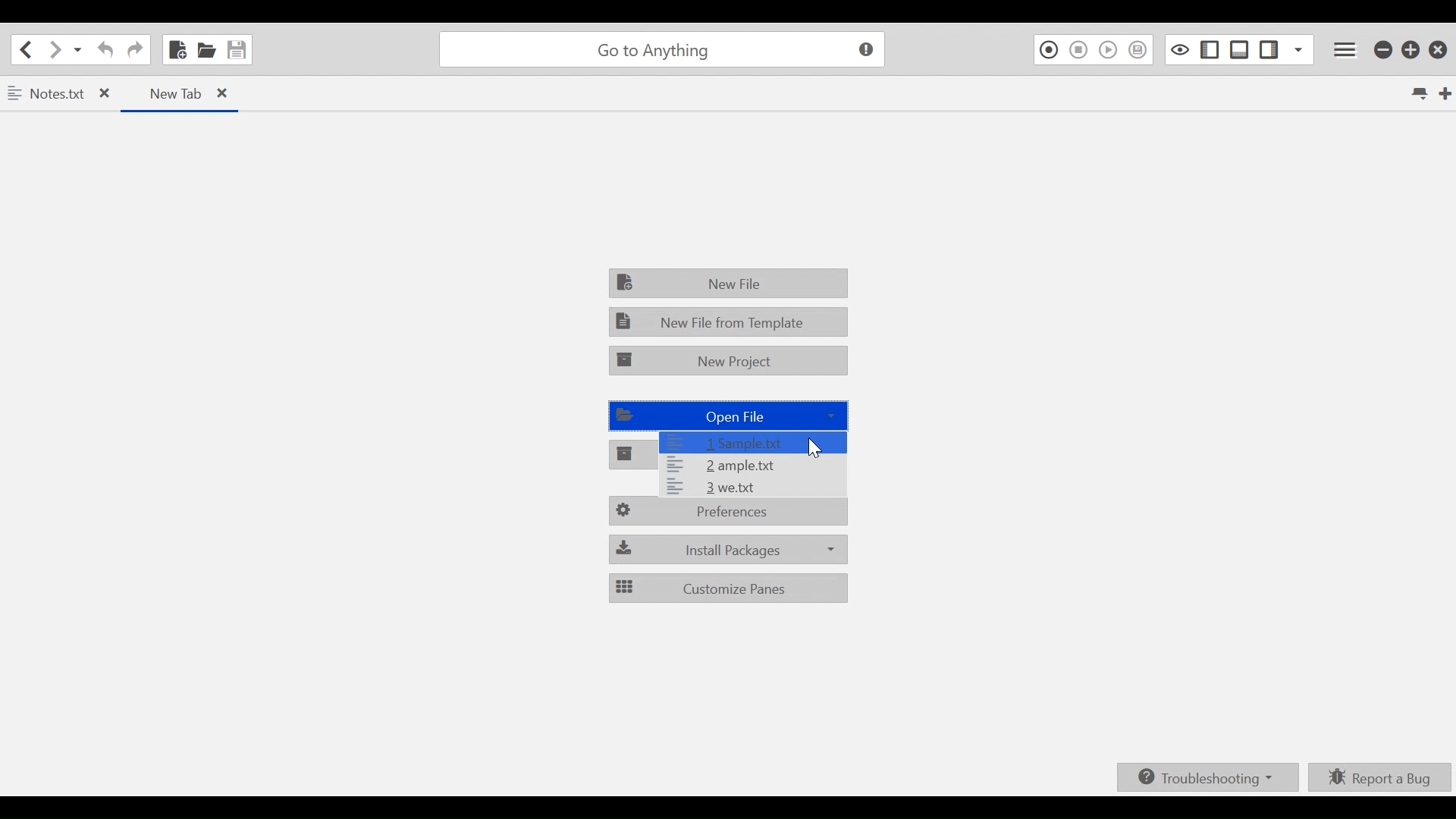 The image size is (1456, 819). What do you see at coordinates (1109, 50) in the screenshot?
I see `Play Last Macro` at bounding box center [1109, 50].